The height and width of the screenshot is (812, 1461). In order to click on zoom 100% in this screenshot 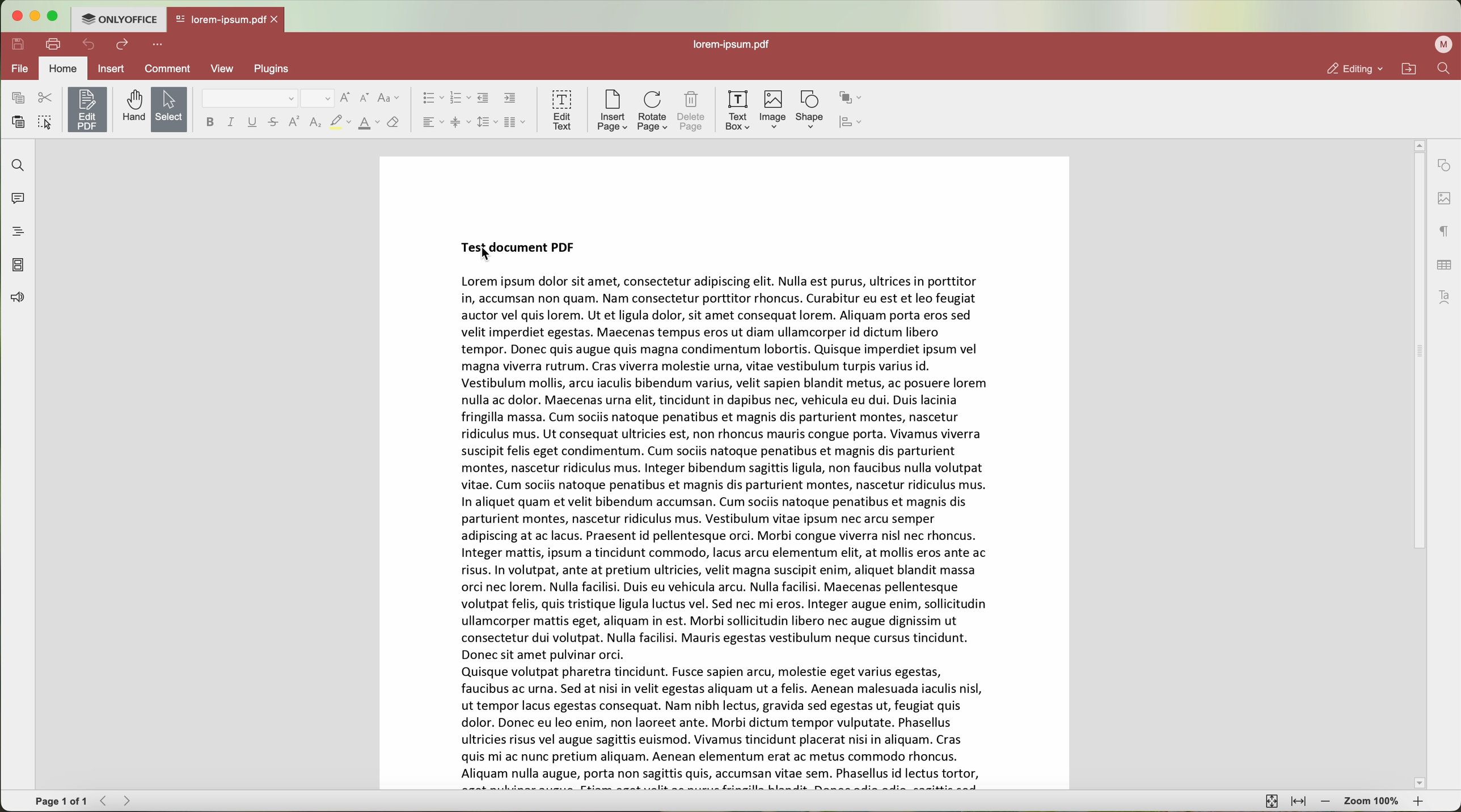, I will do `click(1373, 801)`.